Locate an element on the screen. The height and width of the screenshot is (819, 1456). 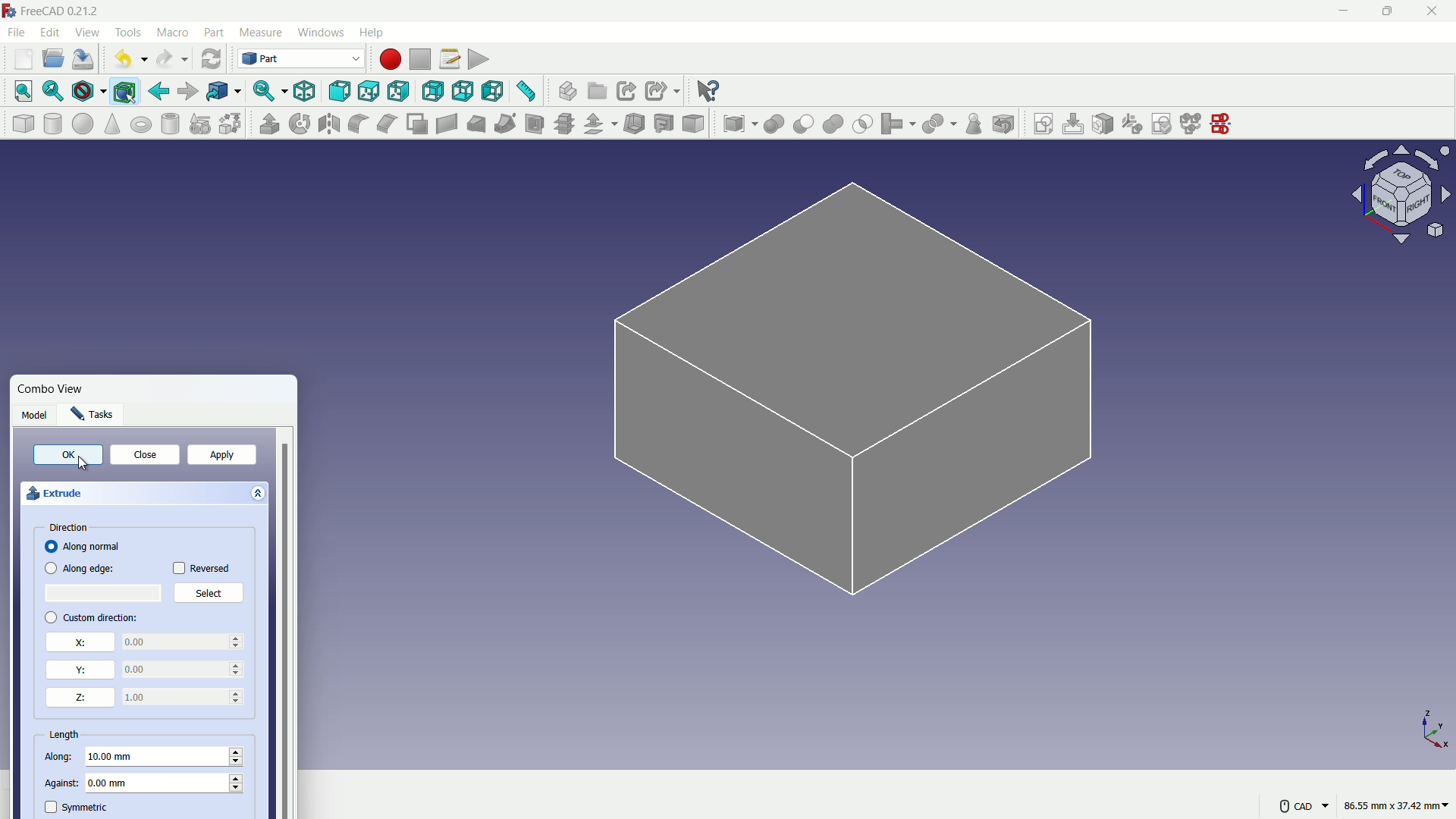
sketch is located at coordinates (850, 400).